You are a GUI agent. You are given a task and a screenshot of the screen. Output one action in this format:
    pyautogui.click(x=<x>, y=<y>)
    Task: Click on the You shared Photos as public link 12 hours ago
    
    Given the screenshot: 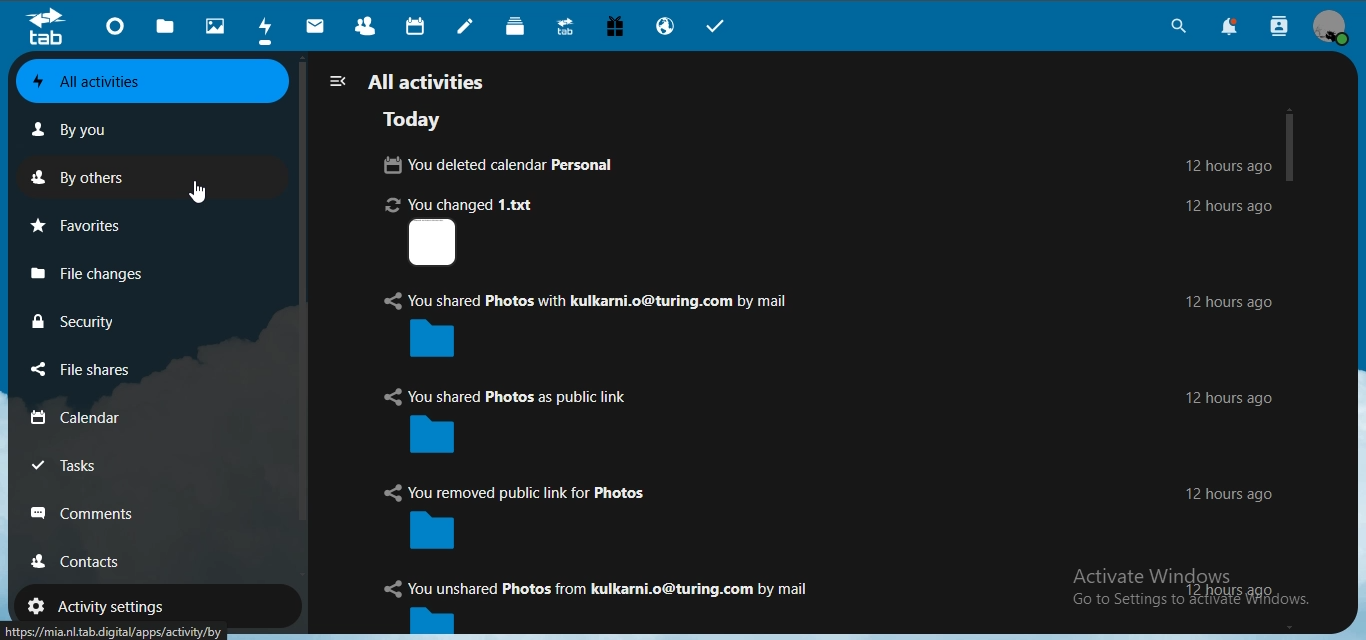 What is the action you would take?
    pyautogui.click(x=824, y=421)
    